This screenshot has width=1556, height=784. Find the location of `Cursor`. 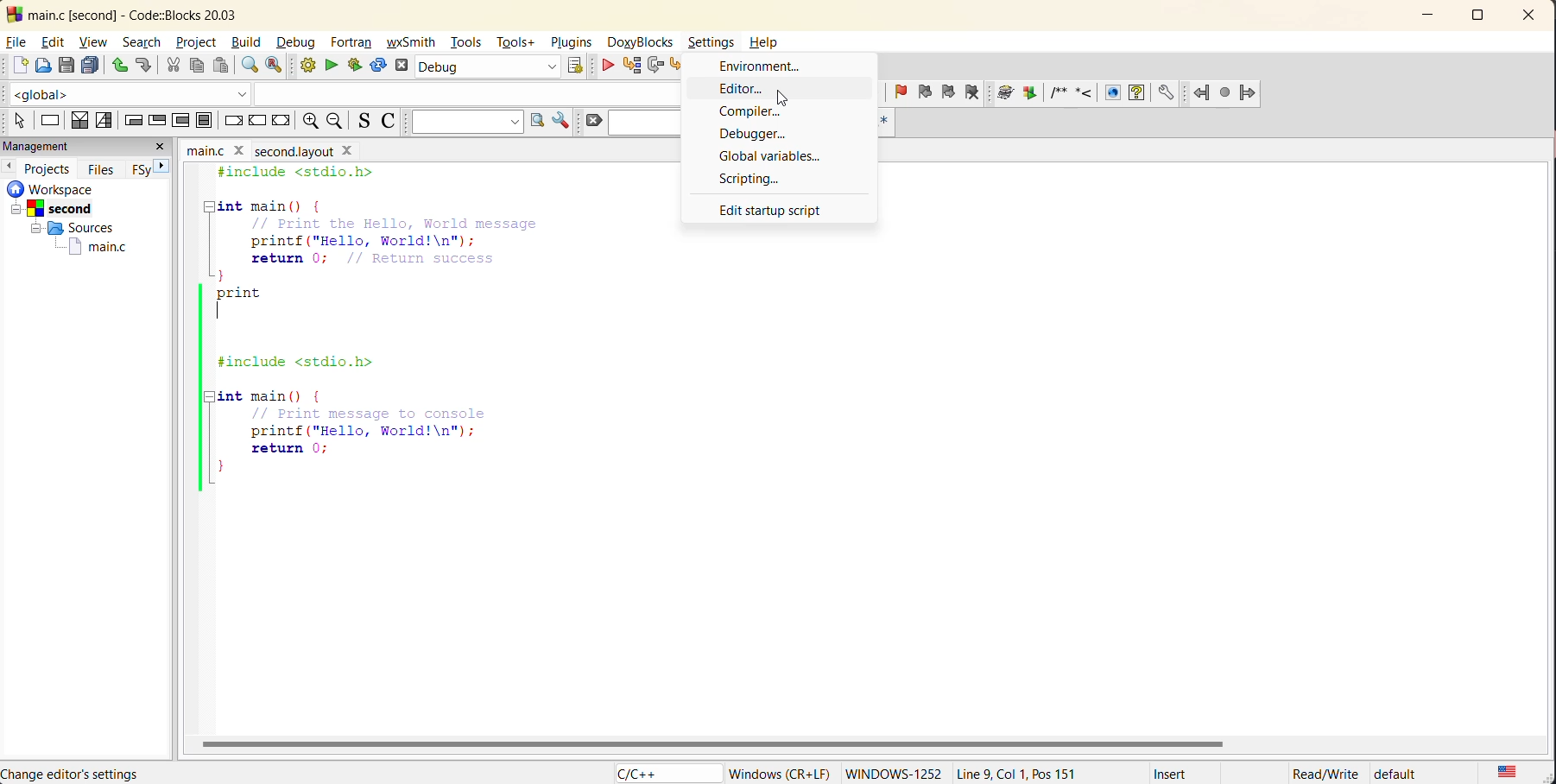

Cursor is located at coordinates (783, 88).